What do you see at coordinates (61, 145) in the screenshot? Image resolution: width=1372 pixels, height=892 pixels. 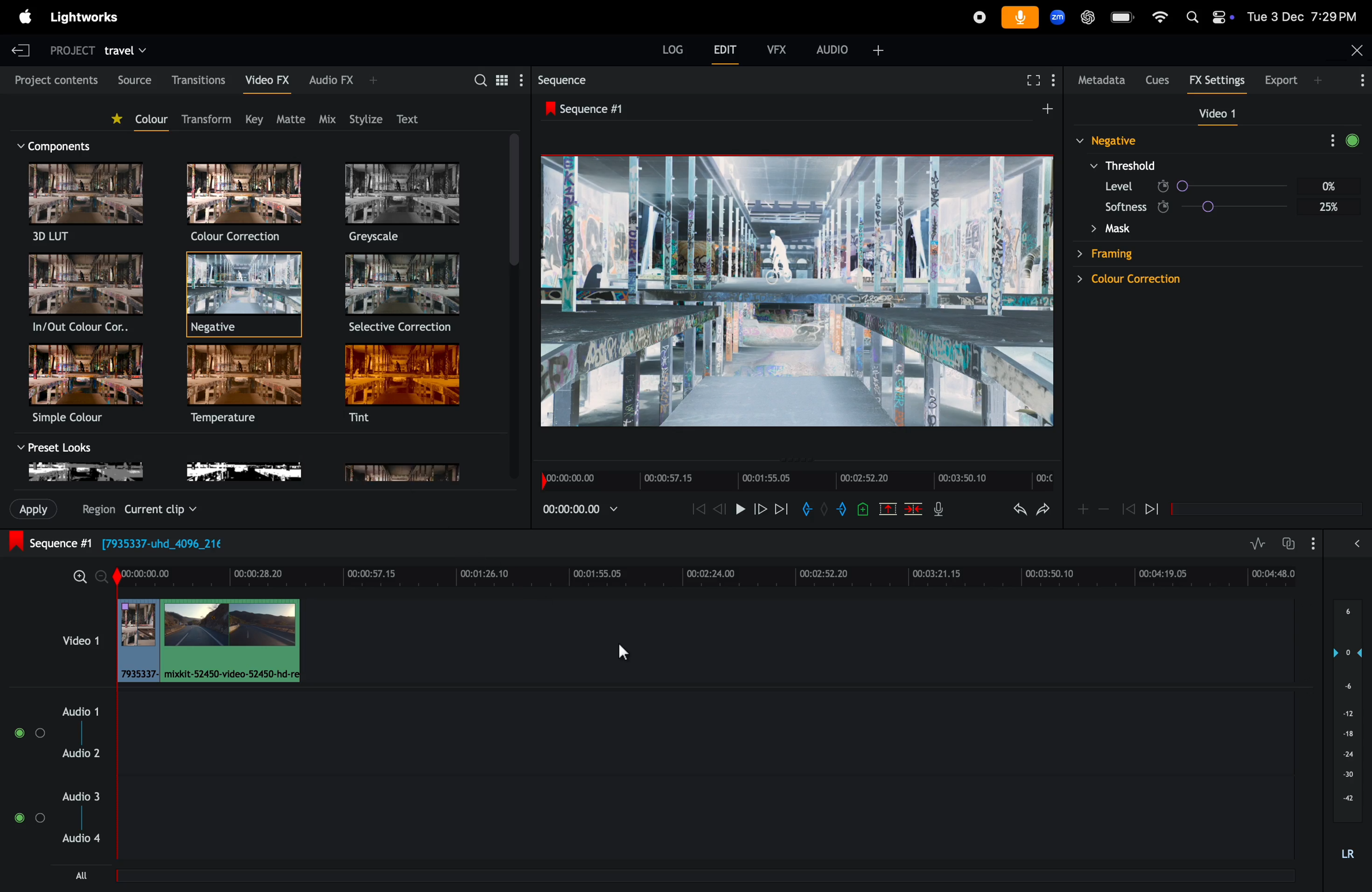 I see `componenet` at bounding box center [61, 145].